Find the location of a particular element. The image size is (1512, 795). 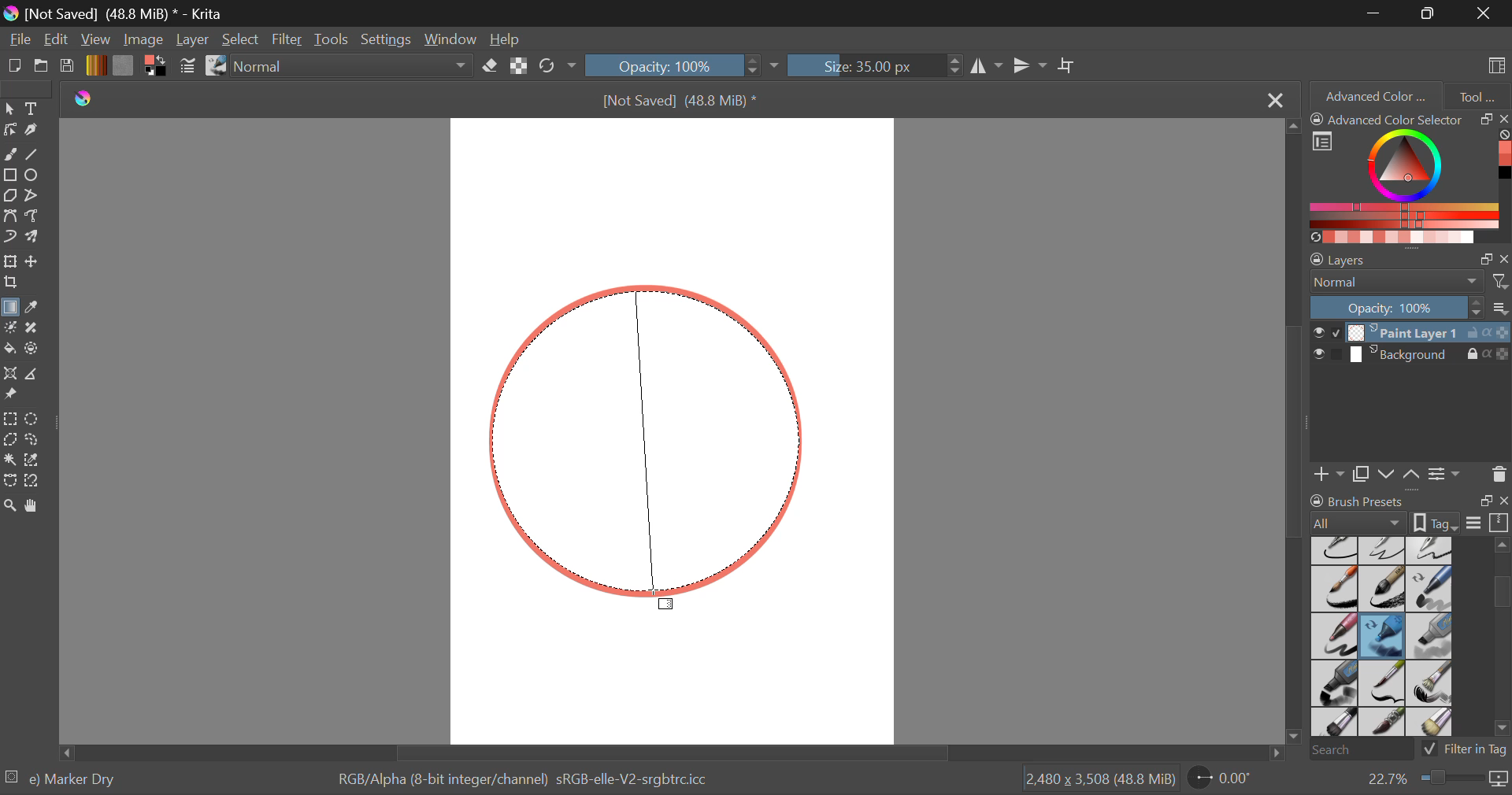

Brush Presets Docket Tab is located at coordinates (1409, 509).